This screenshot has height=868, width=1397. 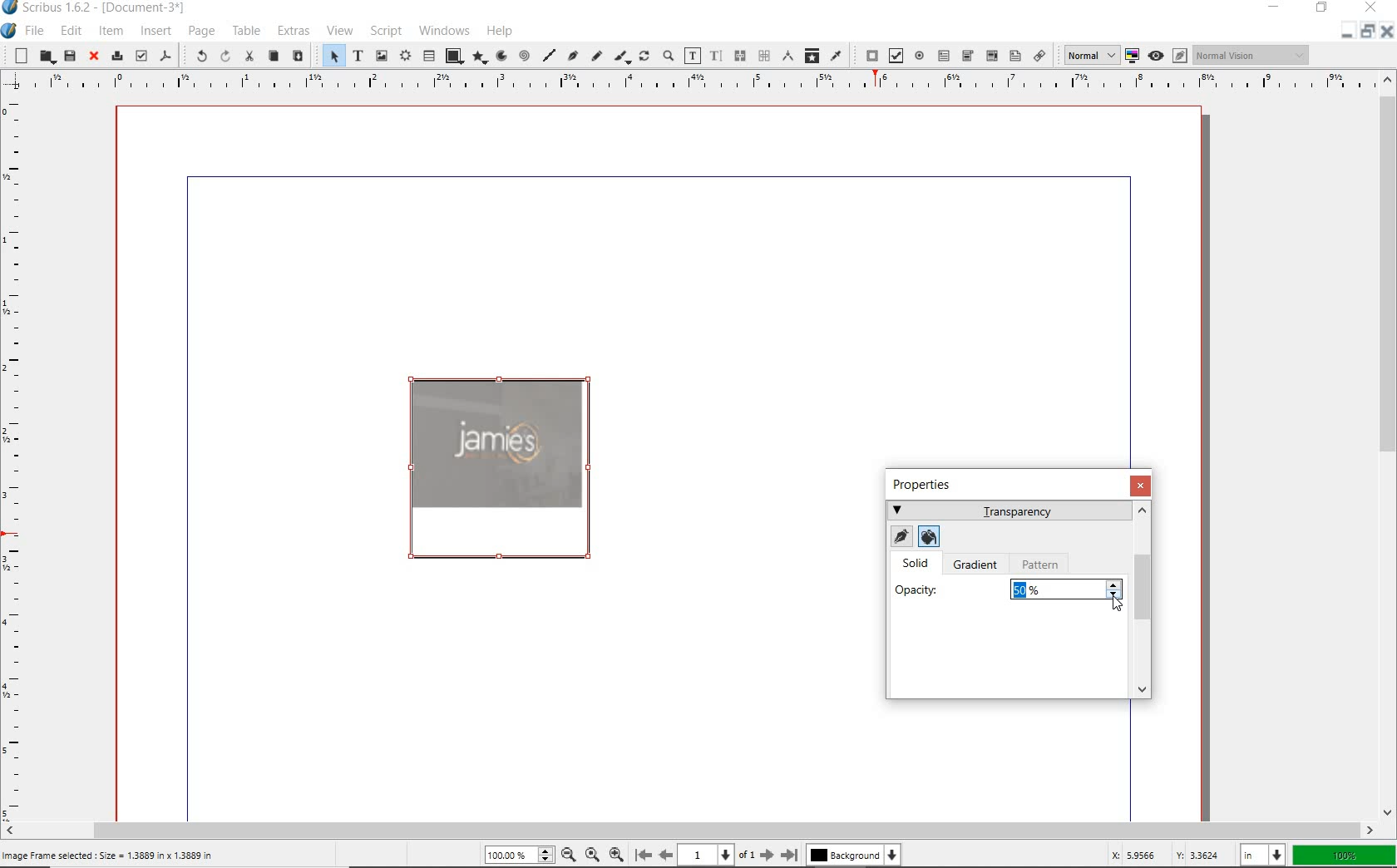 What do you see at coordinates (47, 57) in the screenshot?
I see `open` at bounding box center [47, 57].